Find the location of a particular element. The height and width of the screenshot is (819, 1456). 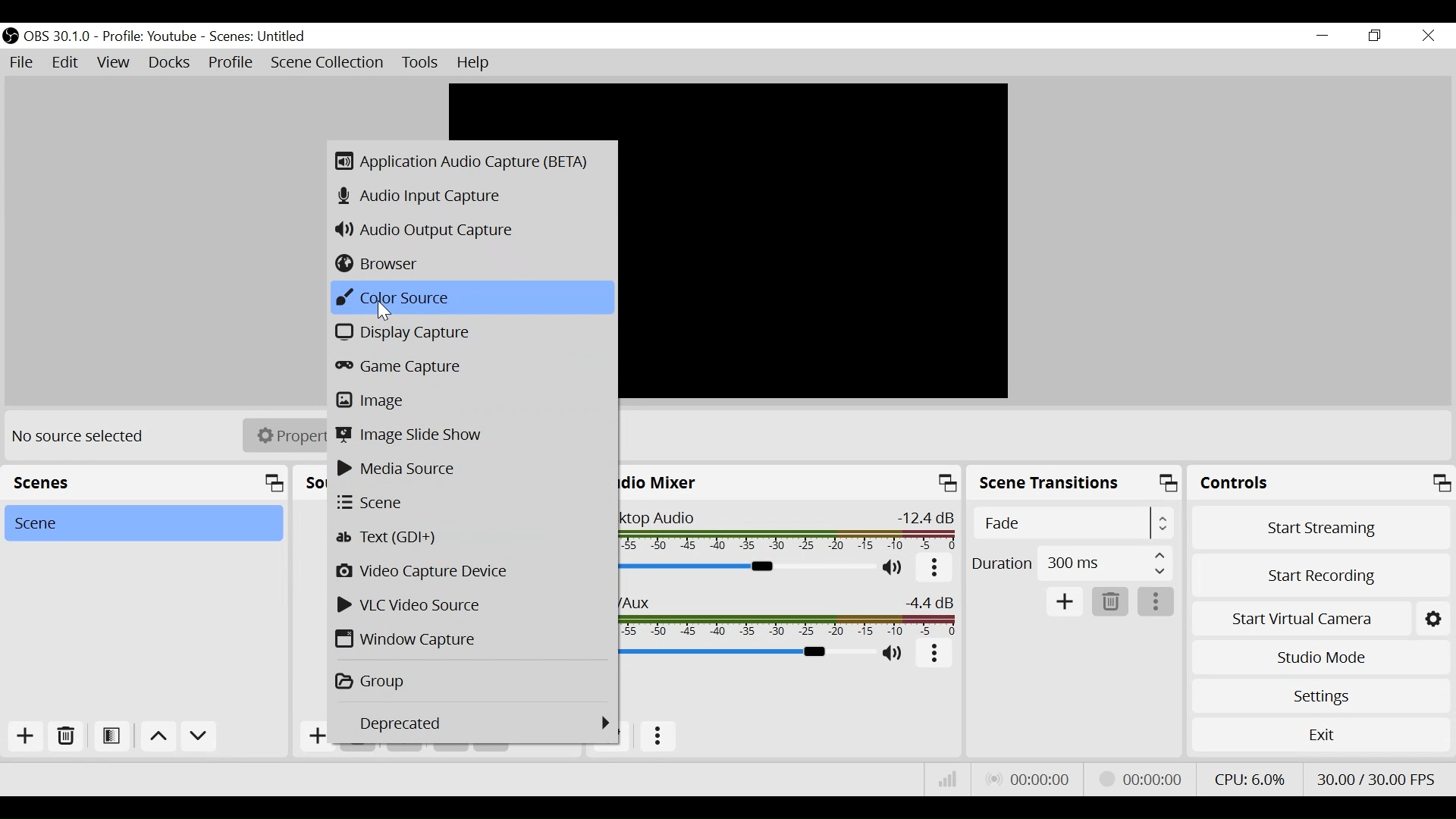

Video Capture Device is located at coordinates (472, 571).